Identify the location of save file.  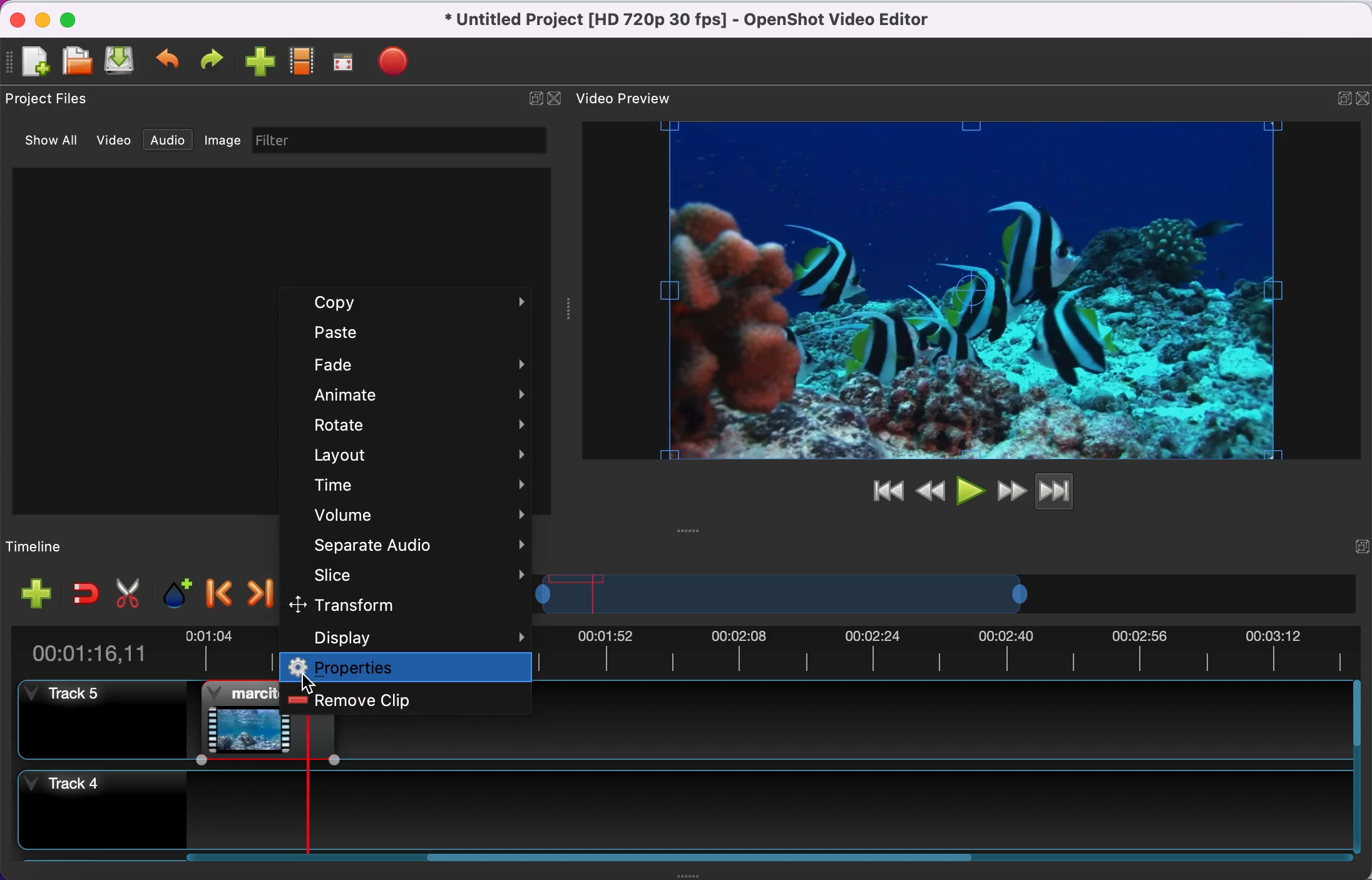
(121, 63).